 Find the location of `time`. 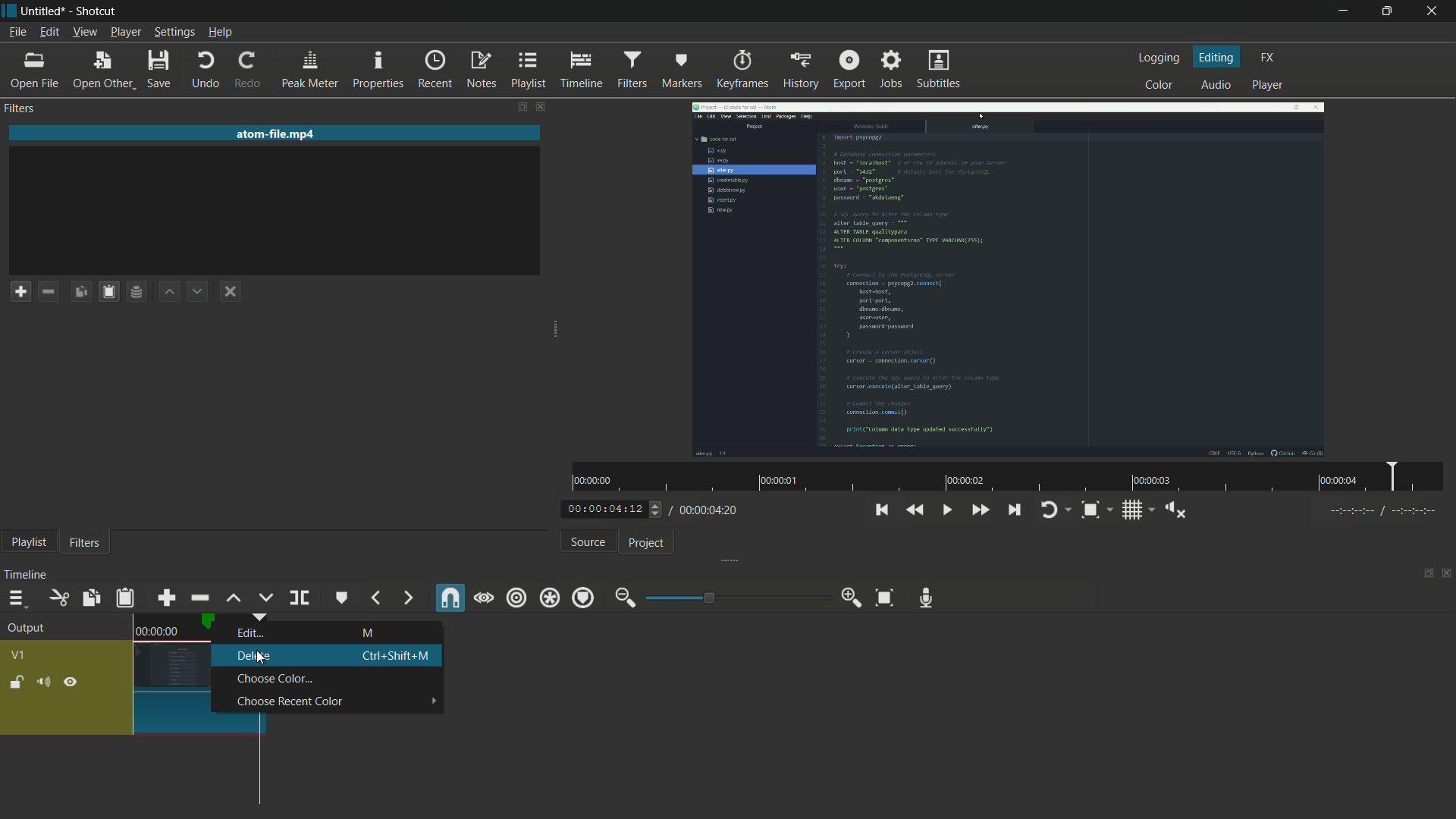

time is located at coordinates (1012, 479).